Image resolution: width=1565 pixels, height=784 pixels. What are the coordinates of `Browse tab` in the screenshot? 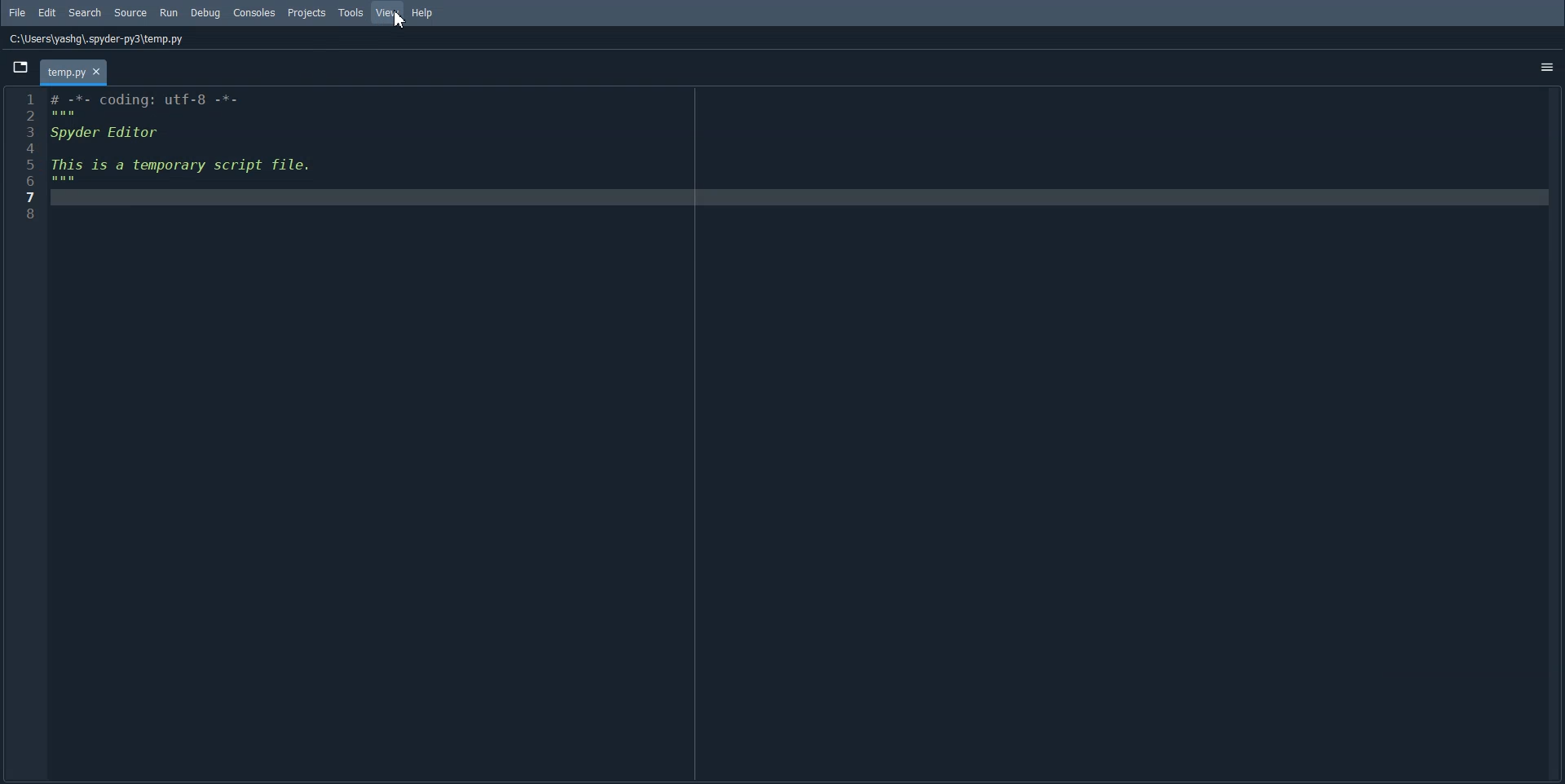 It's located at (20, 67).